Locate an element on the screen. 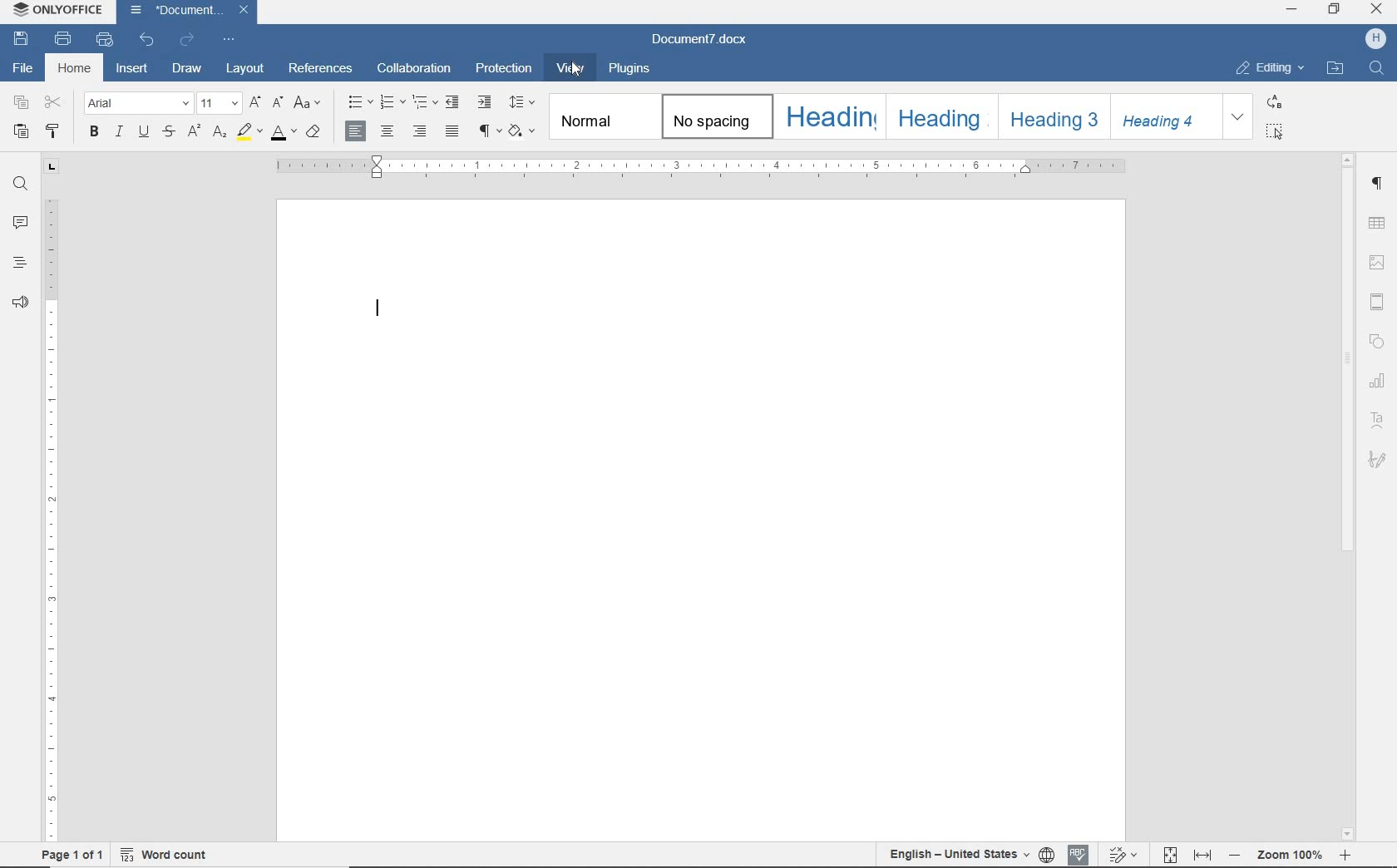 This screenshot has height=868, width=1397. FEEDBACK & SUPPORT is located at coordinates (19, 304).